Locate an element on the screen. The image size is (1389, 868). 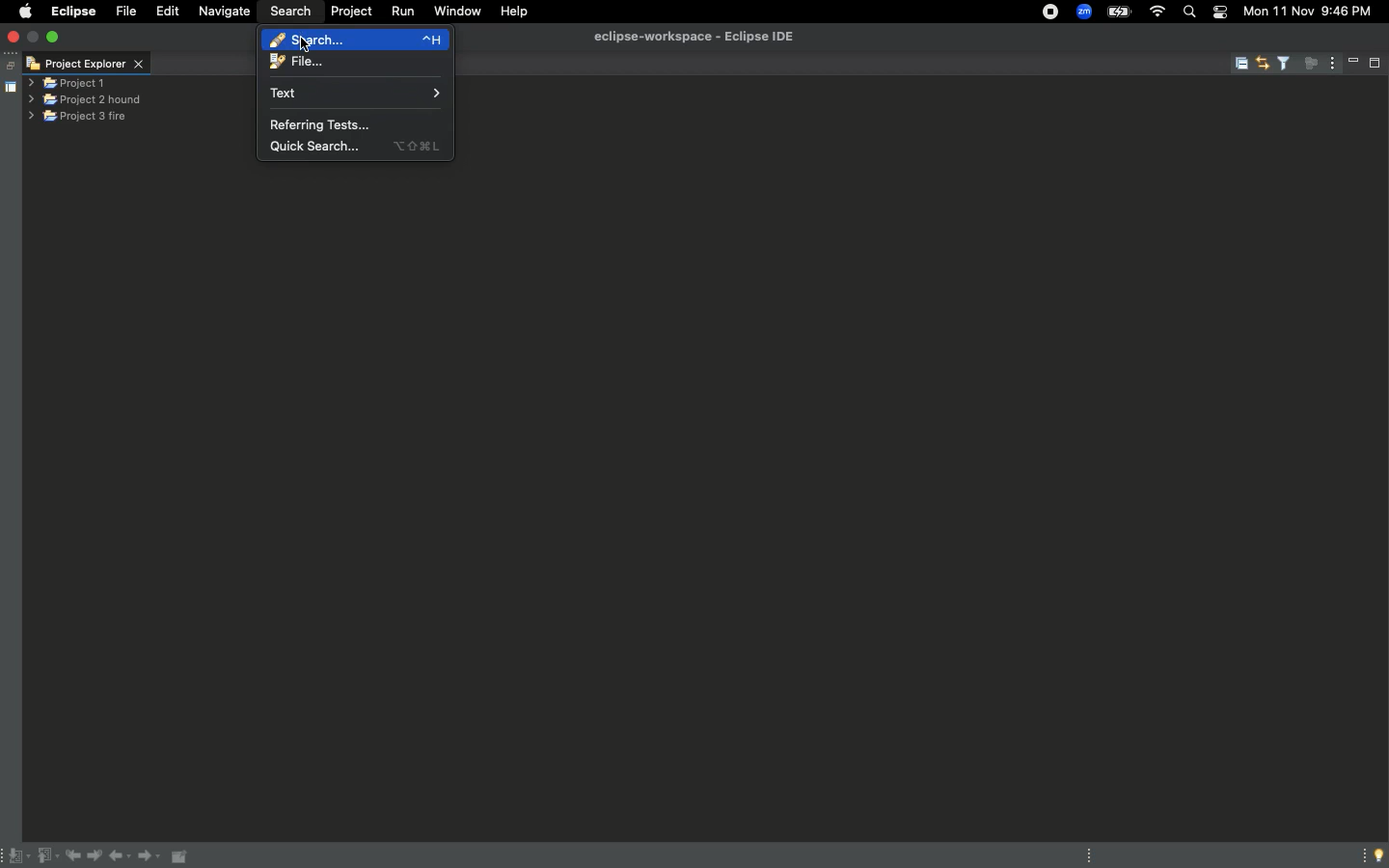
Notification is located at coordinates (1218, 14).